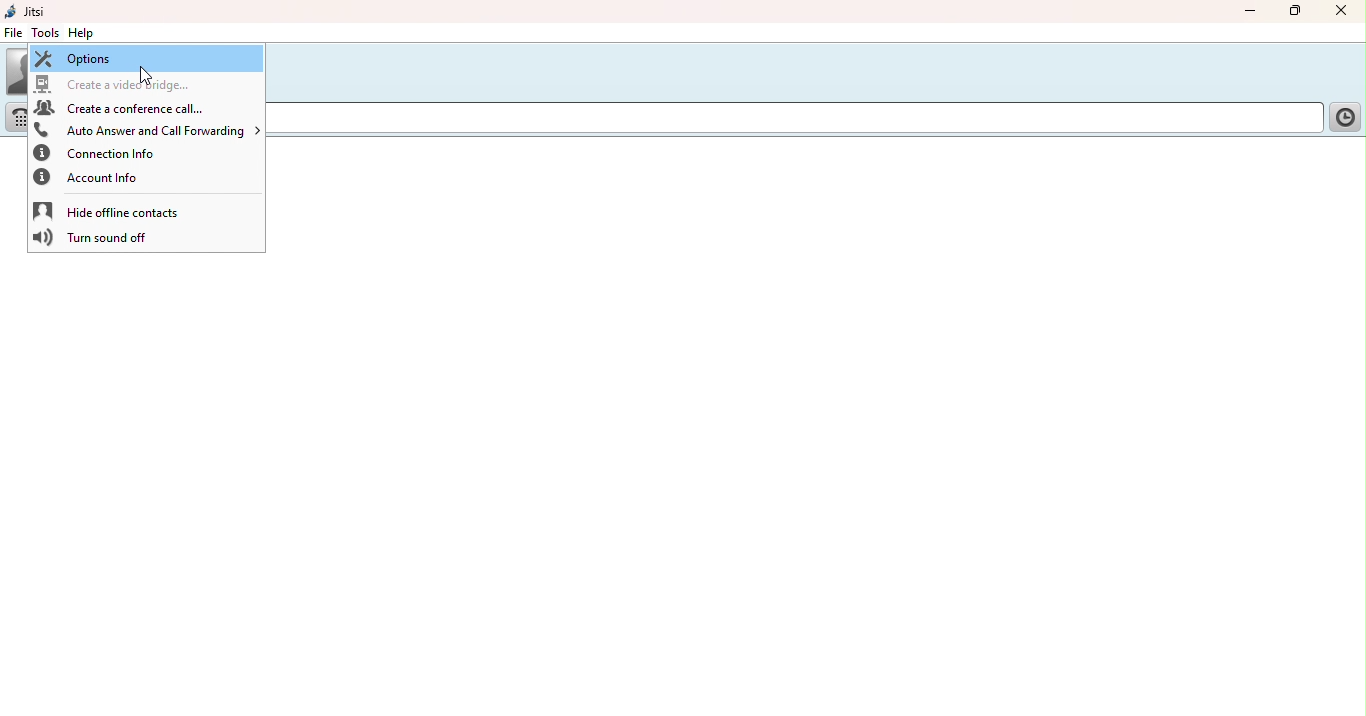 The height and width of the screenshot is (716, 1366). Describe the element at coordinates (1340, 12) in the screenshot. I see `Close` at that location.